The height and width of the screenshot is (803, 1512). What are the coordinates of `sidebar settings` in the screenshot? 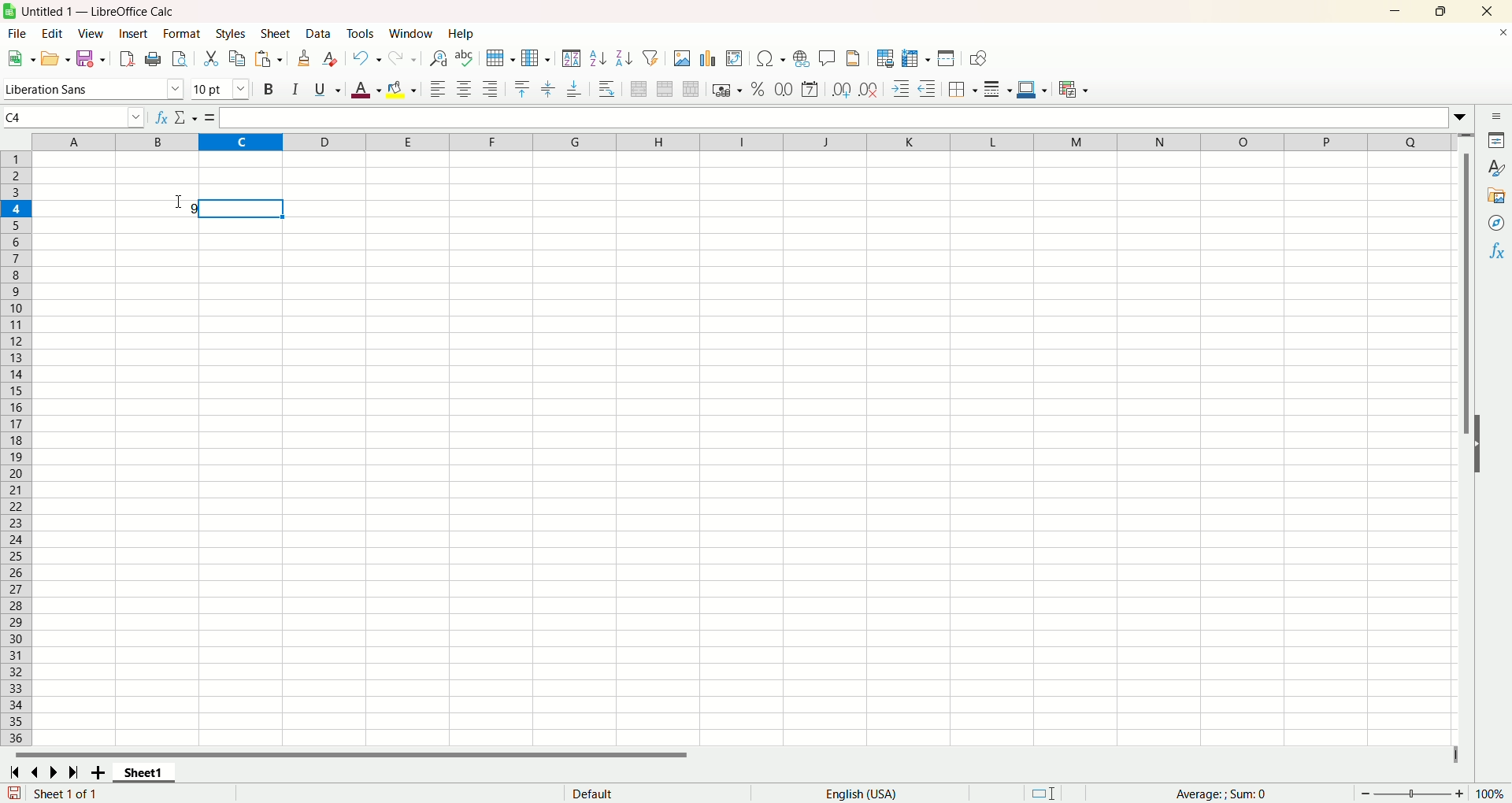 It's located at (1496, 117).